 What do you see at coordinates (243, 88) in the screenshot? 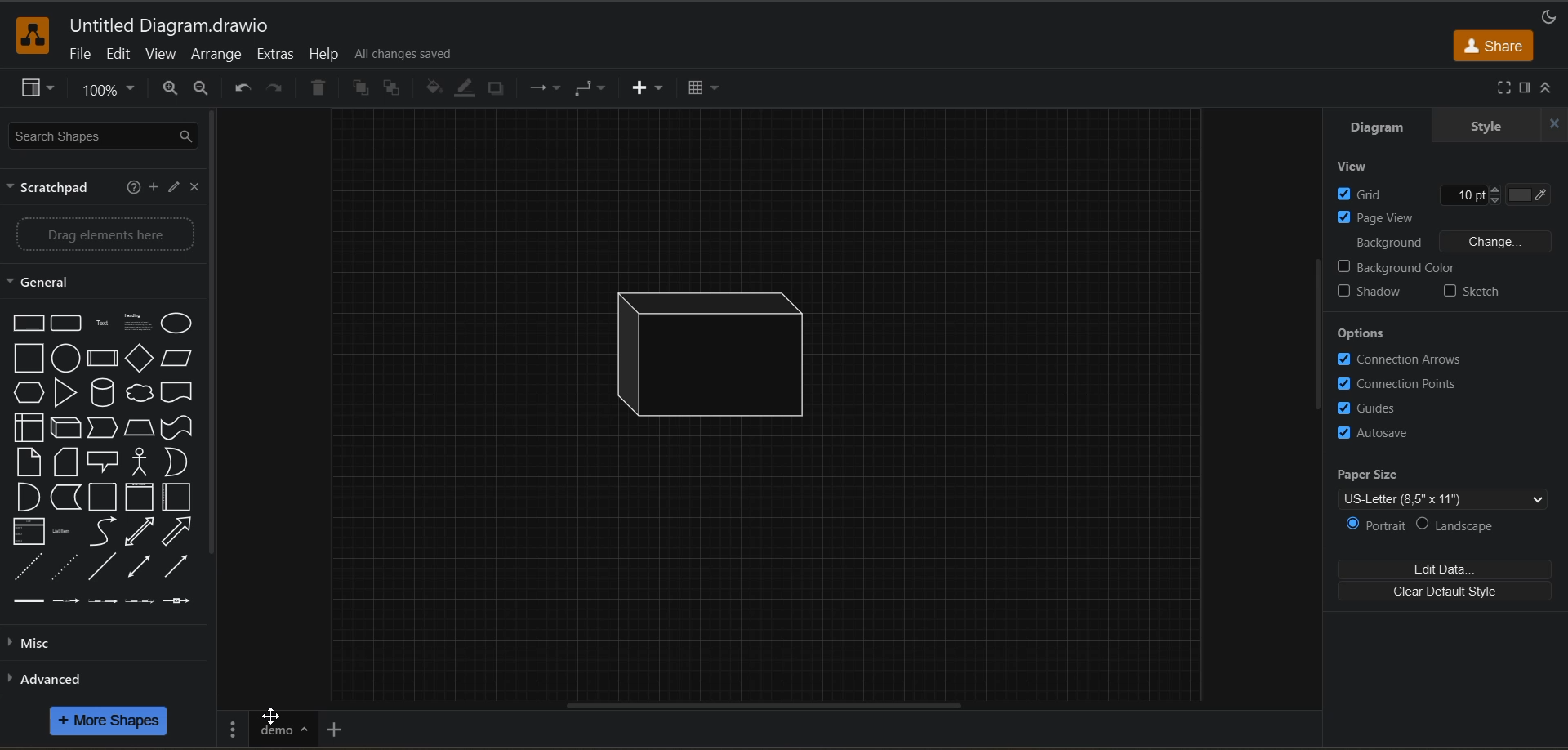
I see `undo` at bounding box center [243, 88].